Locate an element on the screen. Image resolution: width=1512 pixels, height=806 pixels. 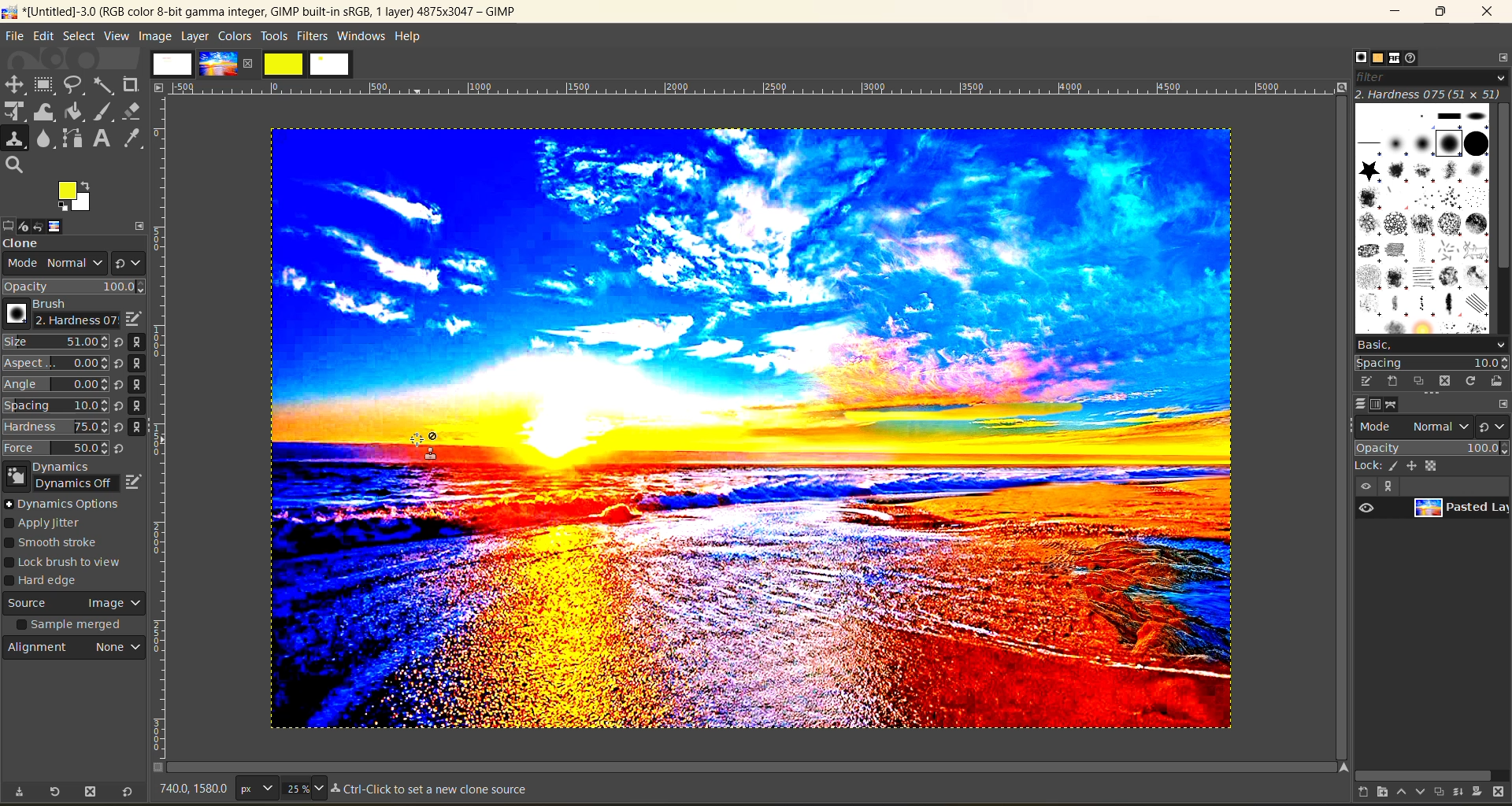
yellow is located at coordinates (284, 64).